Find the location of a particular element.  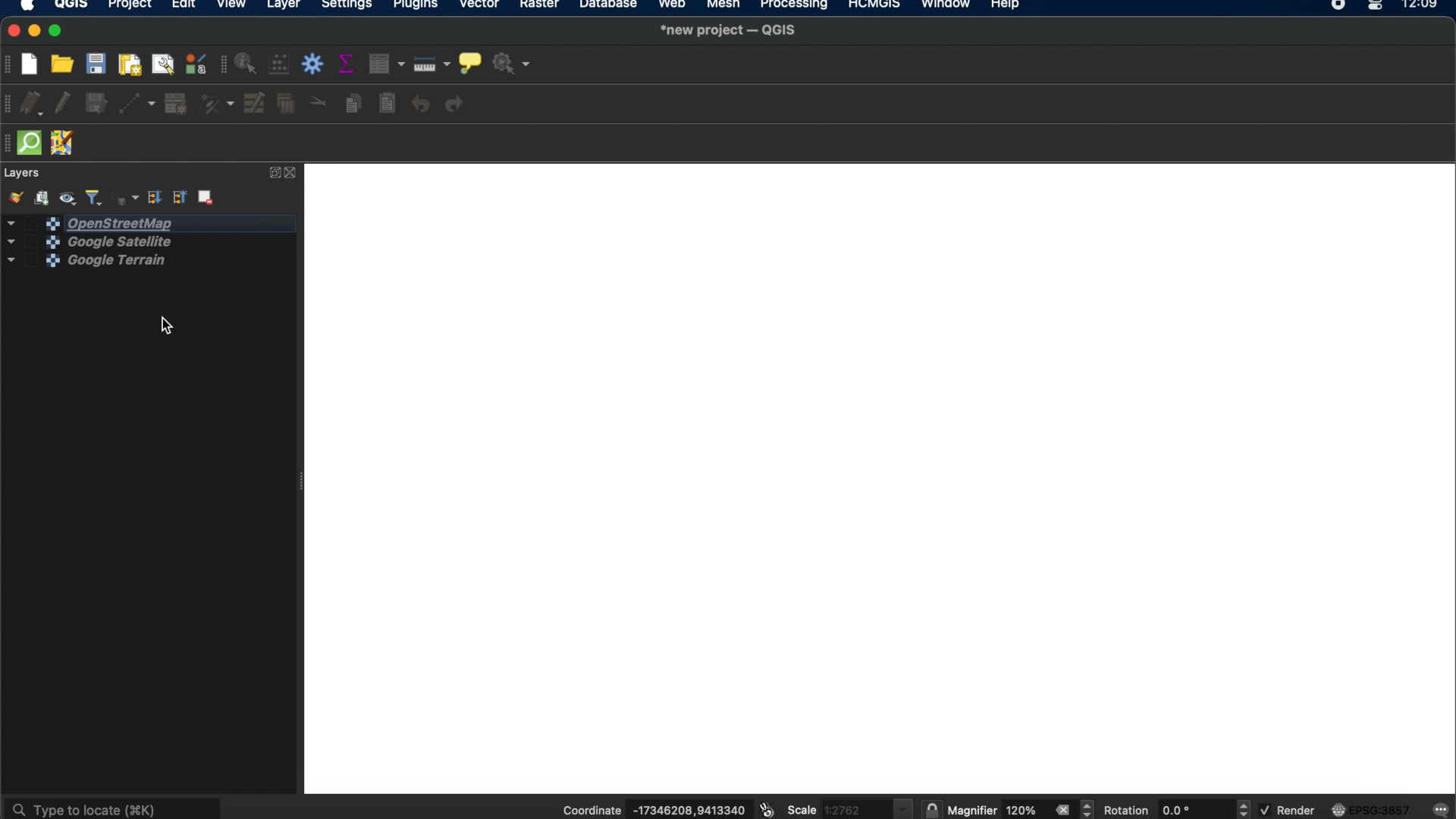

coordinate -17346208,9413340 is located at coordinates (648, 811).